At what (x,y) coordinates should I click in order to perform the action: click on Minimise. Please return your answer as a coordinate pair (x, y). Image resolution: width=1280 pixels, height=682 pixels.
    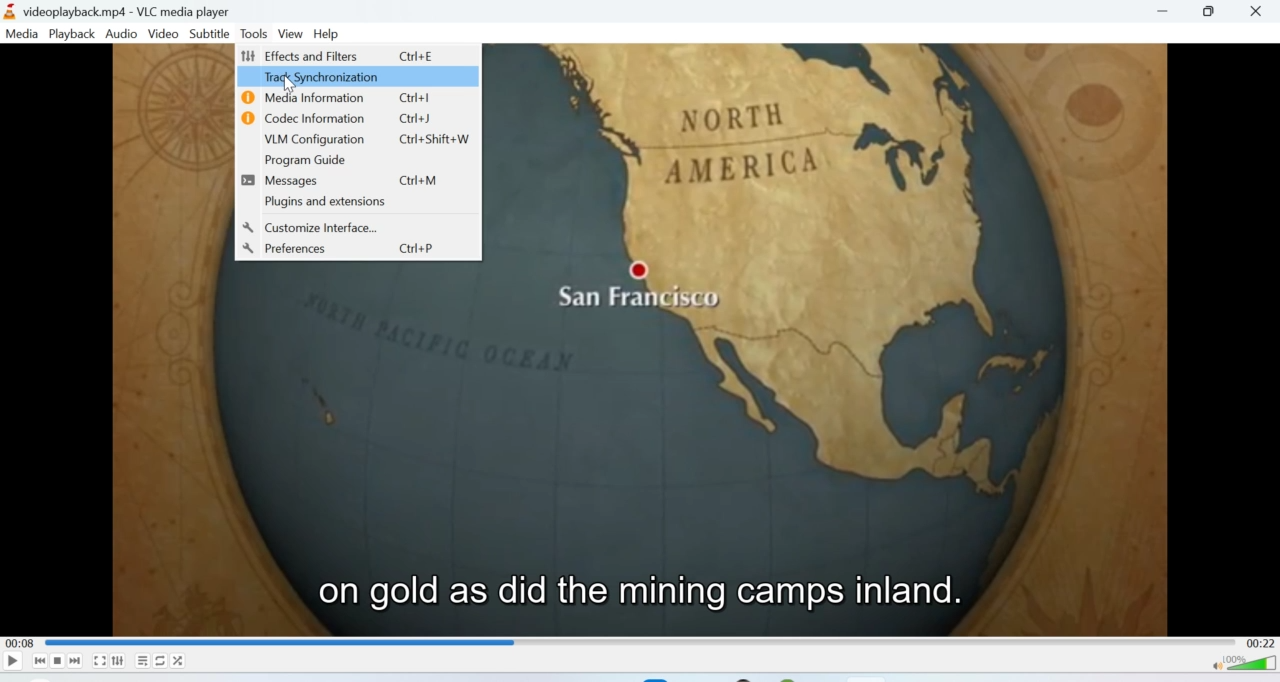
    Looking at the image, I should click on (1163, 12).